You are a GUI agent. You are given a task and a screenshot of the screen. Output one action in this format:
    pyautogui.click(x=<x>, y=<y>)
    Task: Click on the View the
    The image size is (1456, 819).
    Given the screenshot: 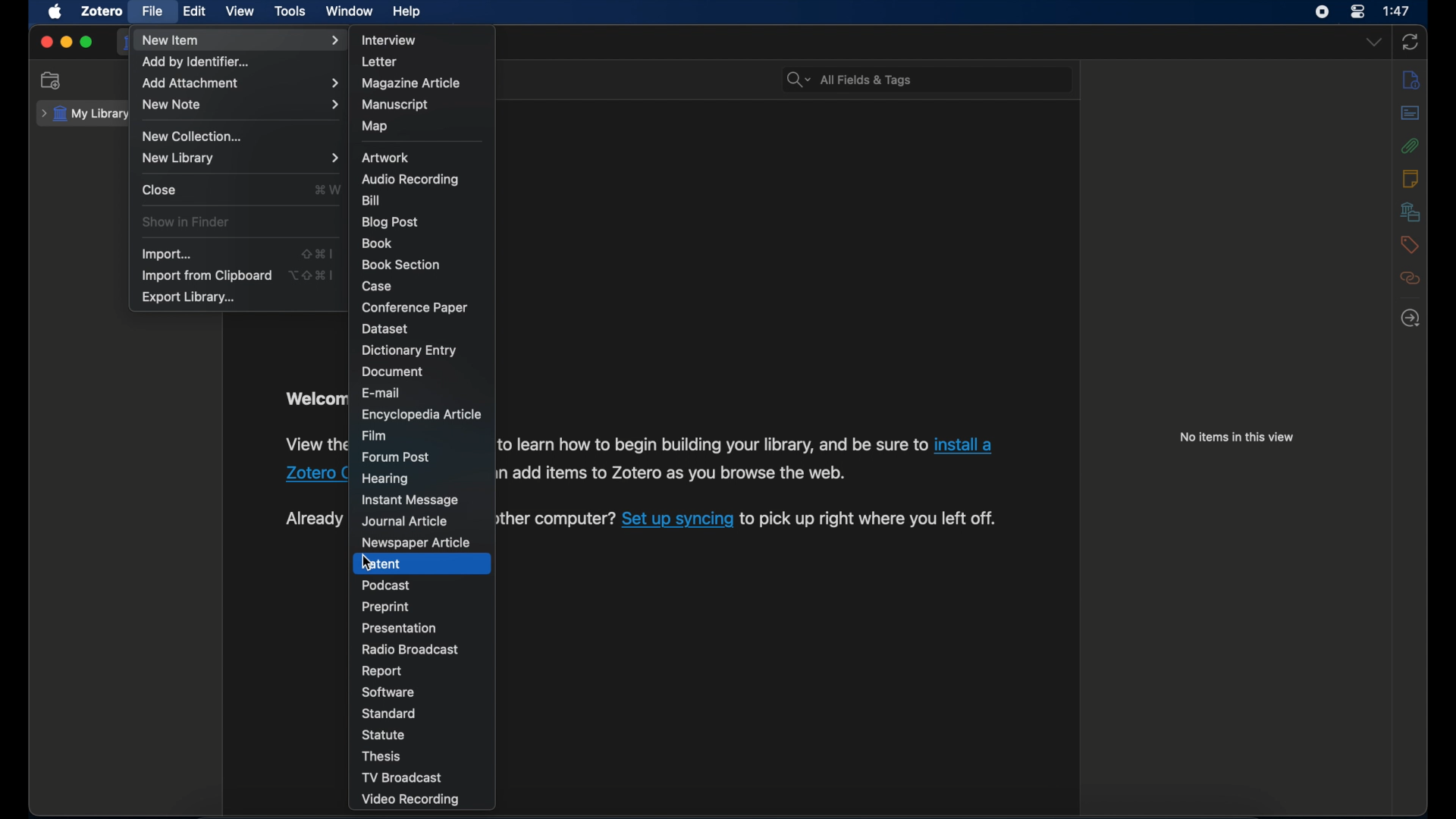 What is the action you would take?
    pyautogui.click(x=318, y=444)
    